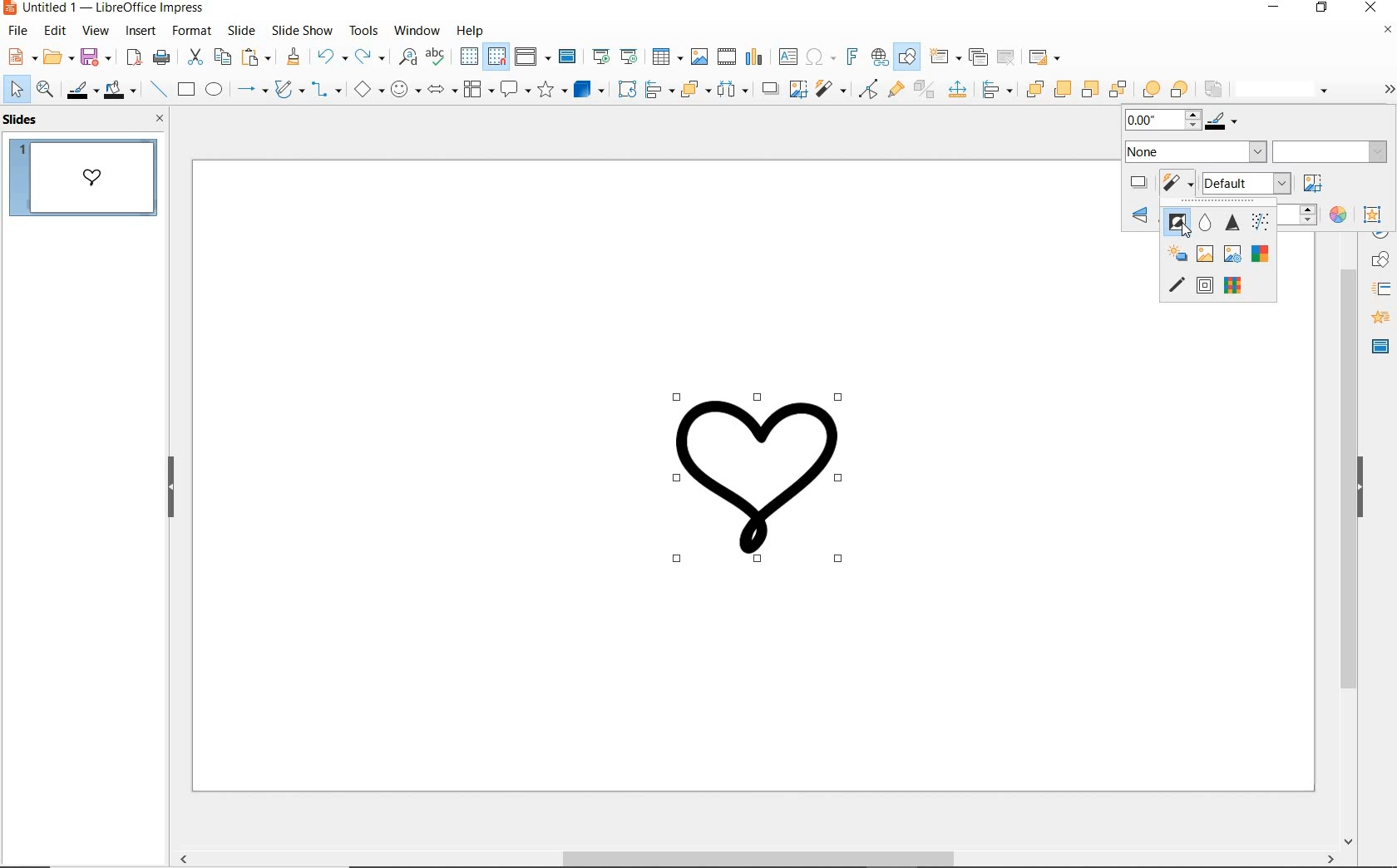 Image resolution: width=1397 pixels, height=868 pixels. I want to click on cut, so click(194, 56).